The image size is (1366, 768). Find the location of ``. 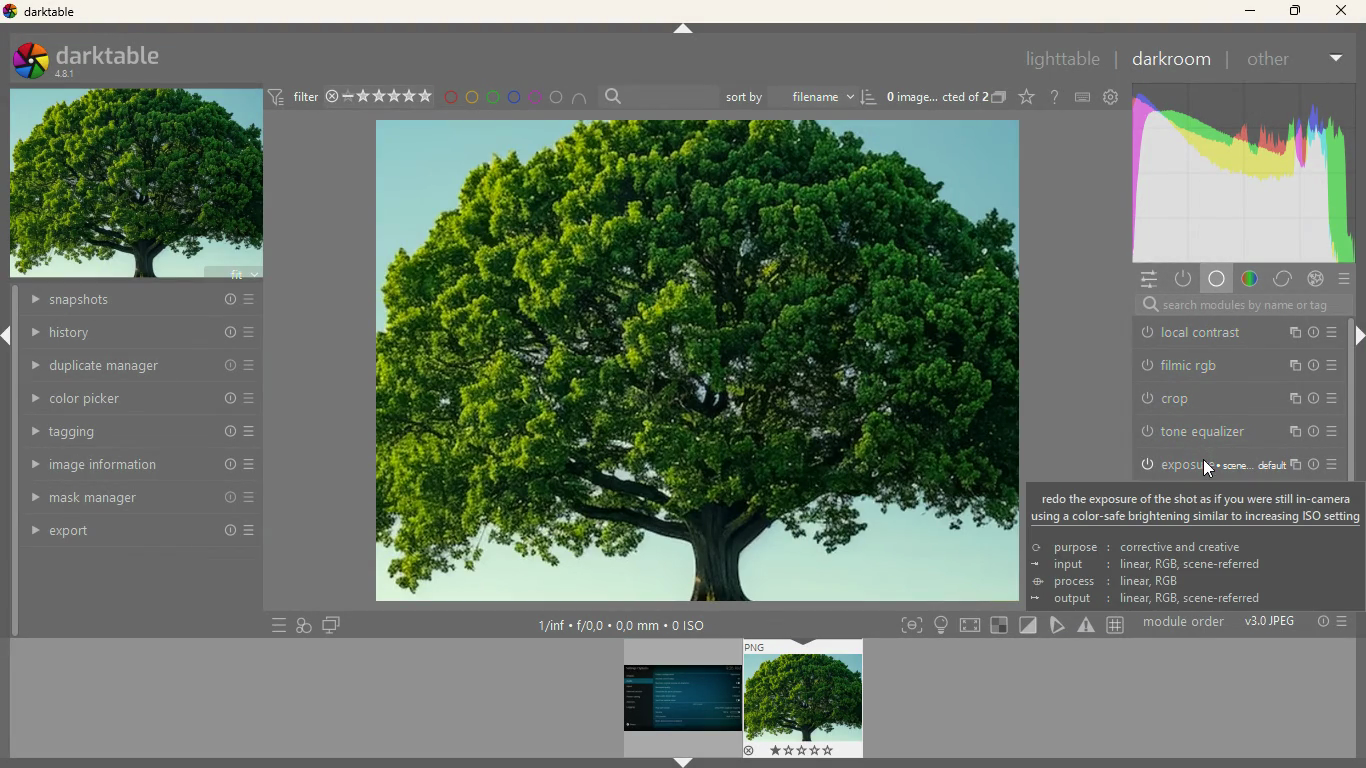

 is located at coordinates (1344, 622).